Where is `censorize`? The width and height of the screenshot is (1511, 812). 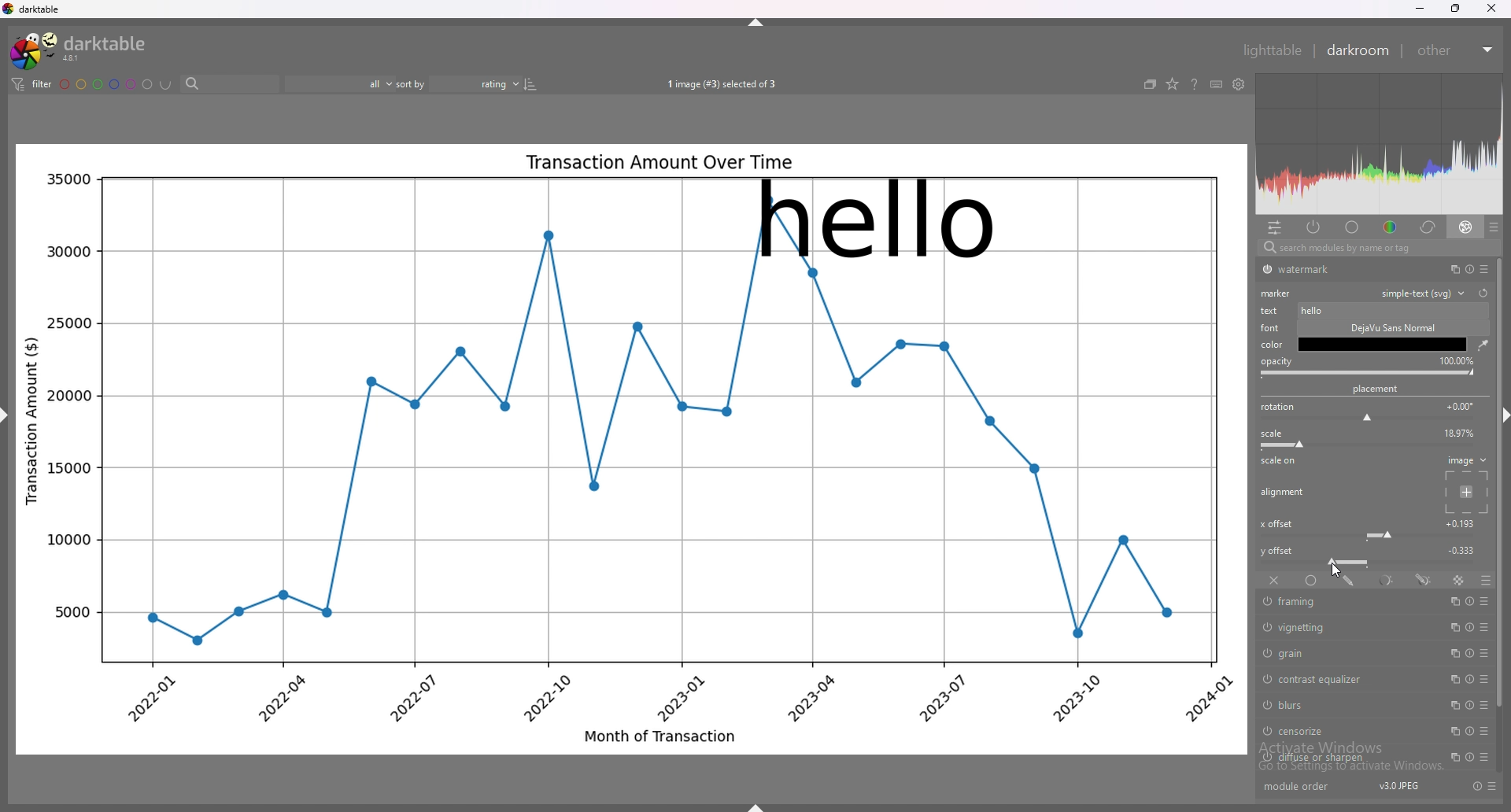
censorize is located at coordinates (1339, 730).